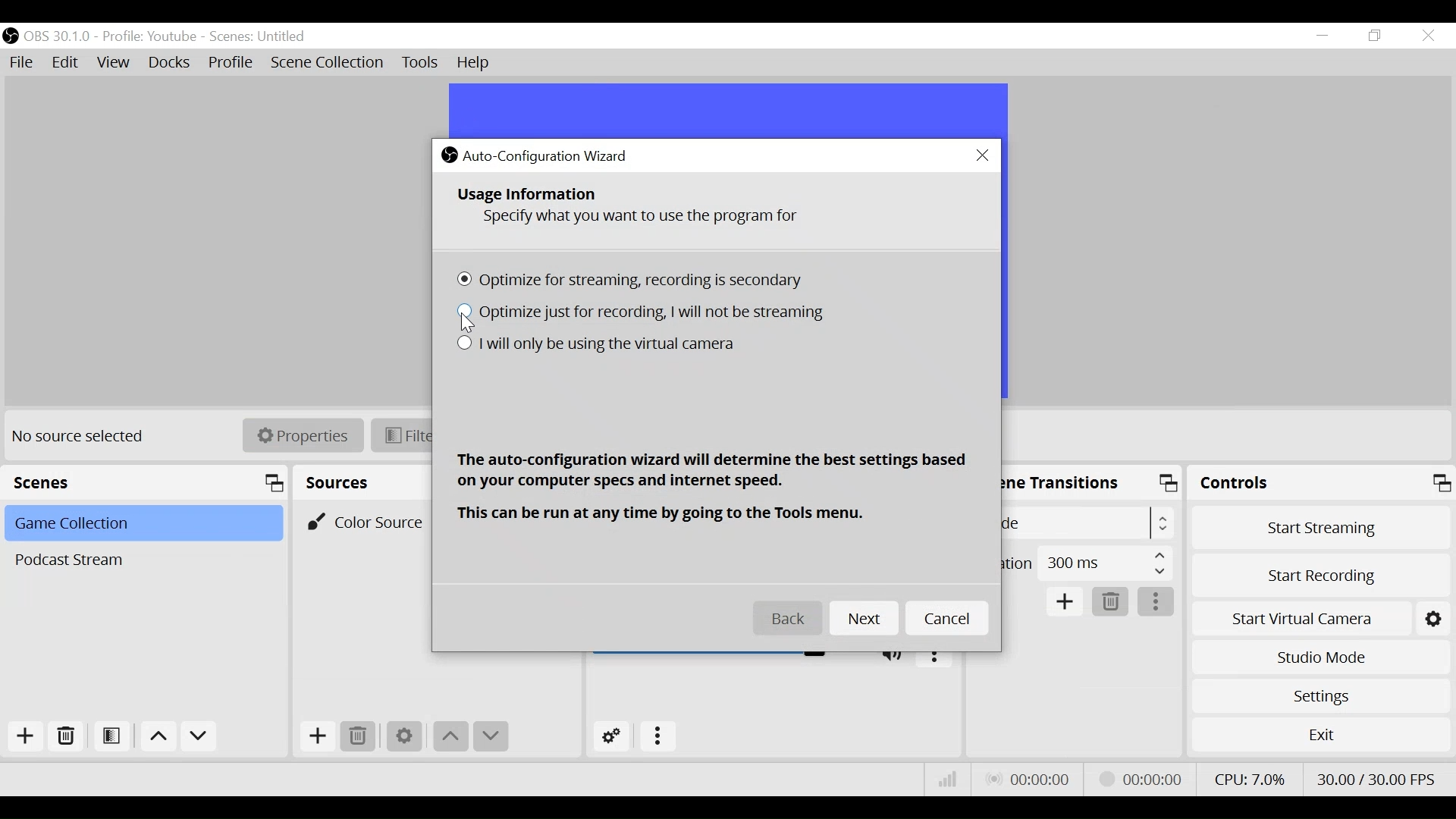 This screenshot has width=1456, height=819. I want to click on more options, so click(1156, 602).